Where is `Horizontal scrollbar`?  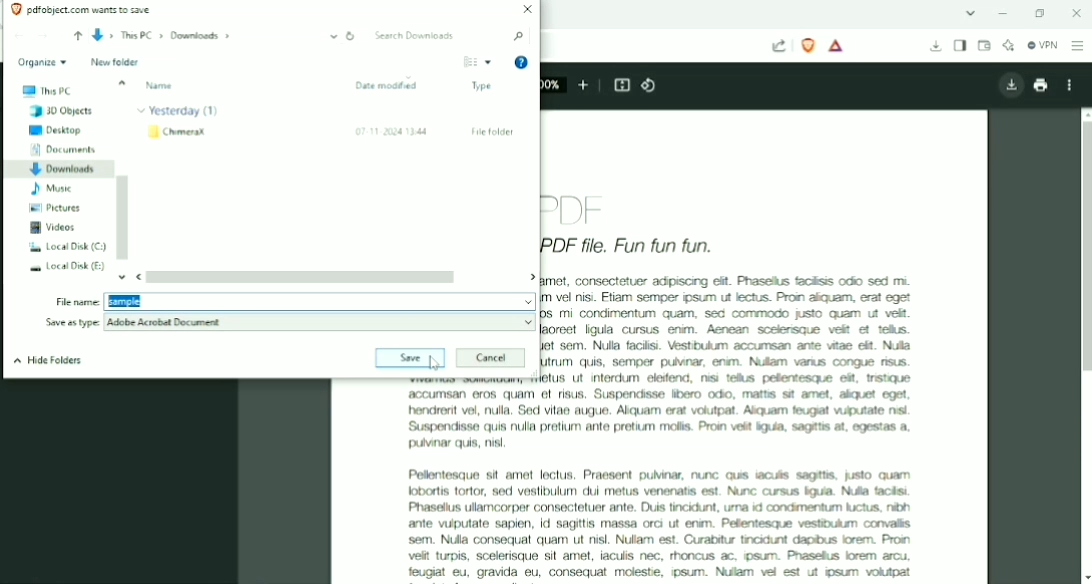
Horizontal scrollbar is located at coordinates (303, 278).